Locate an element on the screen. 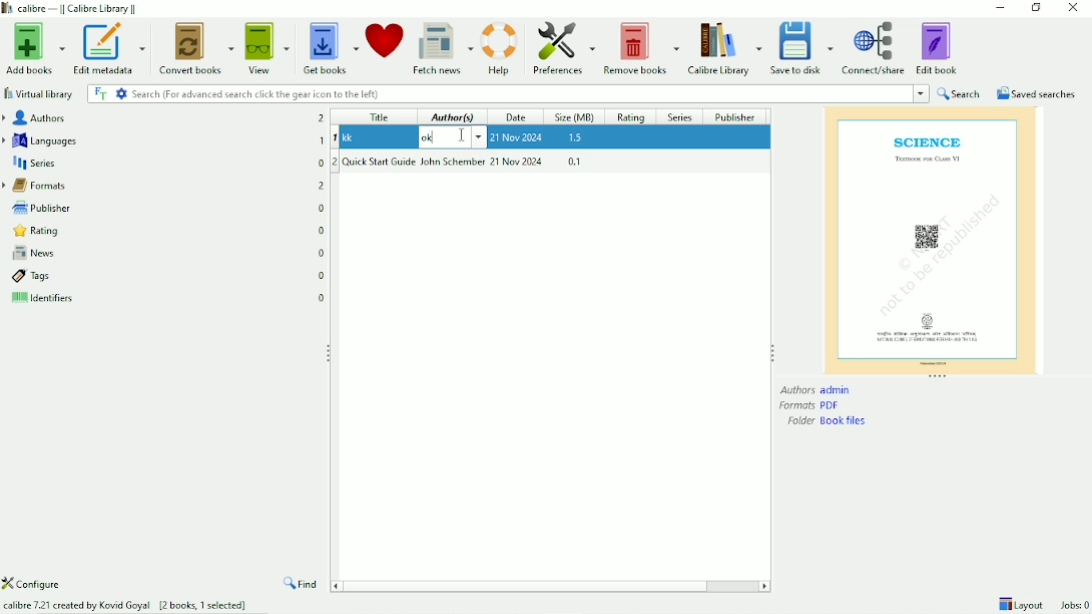 This screenshot has width=1092, height=614. Formats is located at coordinates (162, 186).